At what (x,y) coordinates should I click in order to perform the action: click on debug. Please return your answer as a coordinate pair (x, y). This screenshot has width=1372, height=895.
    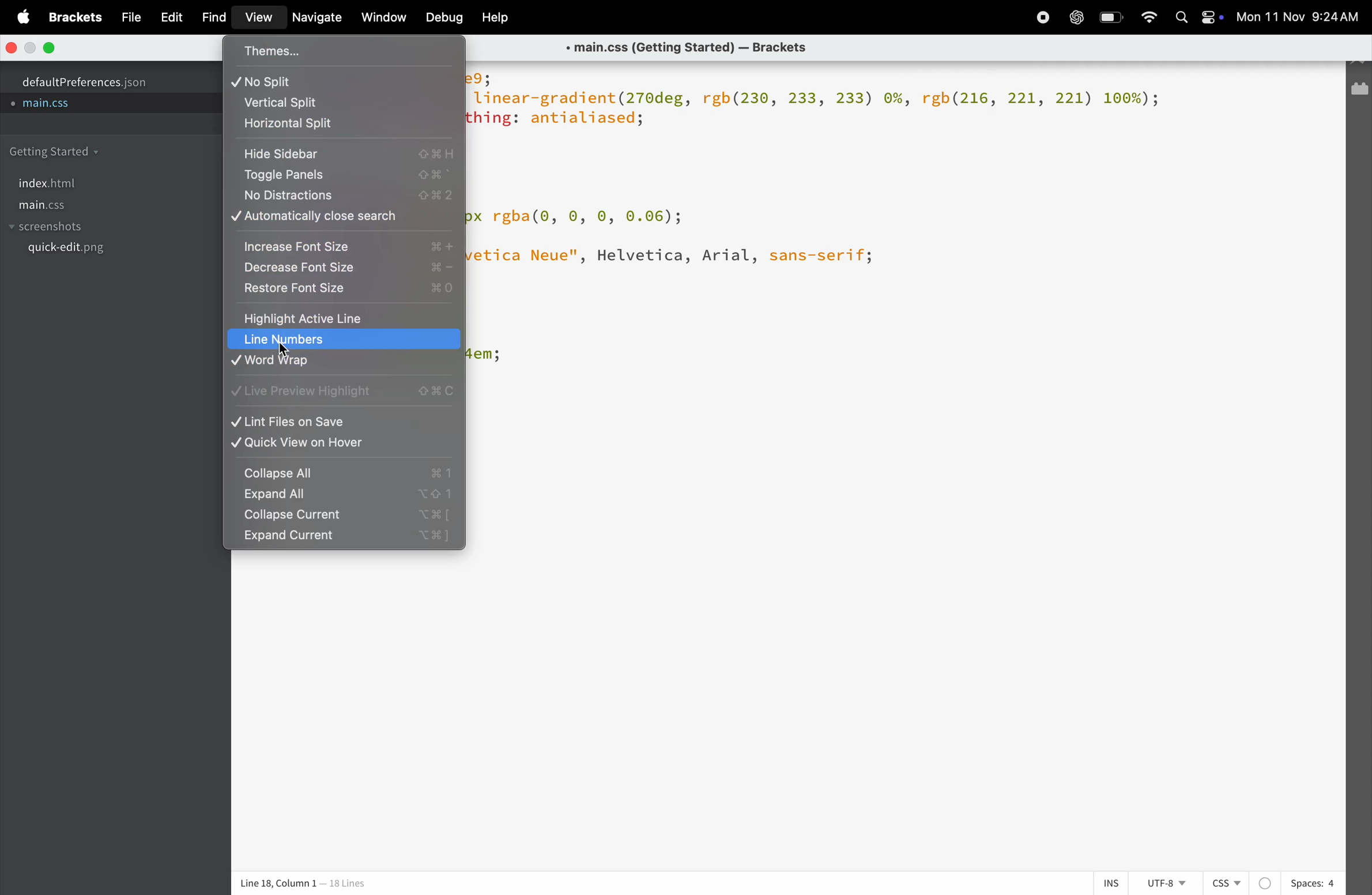
    Looking at the image, I should click on (442, 18).